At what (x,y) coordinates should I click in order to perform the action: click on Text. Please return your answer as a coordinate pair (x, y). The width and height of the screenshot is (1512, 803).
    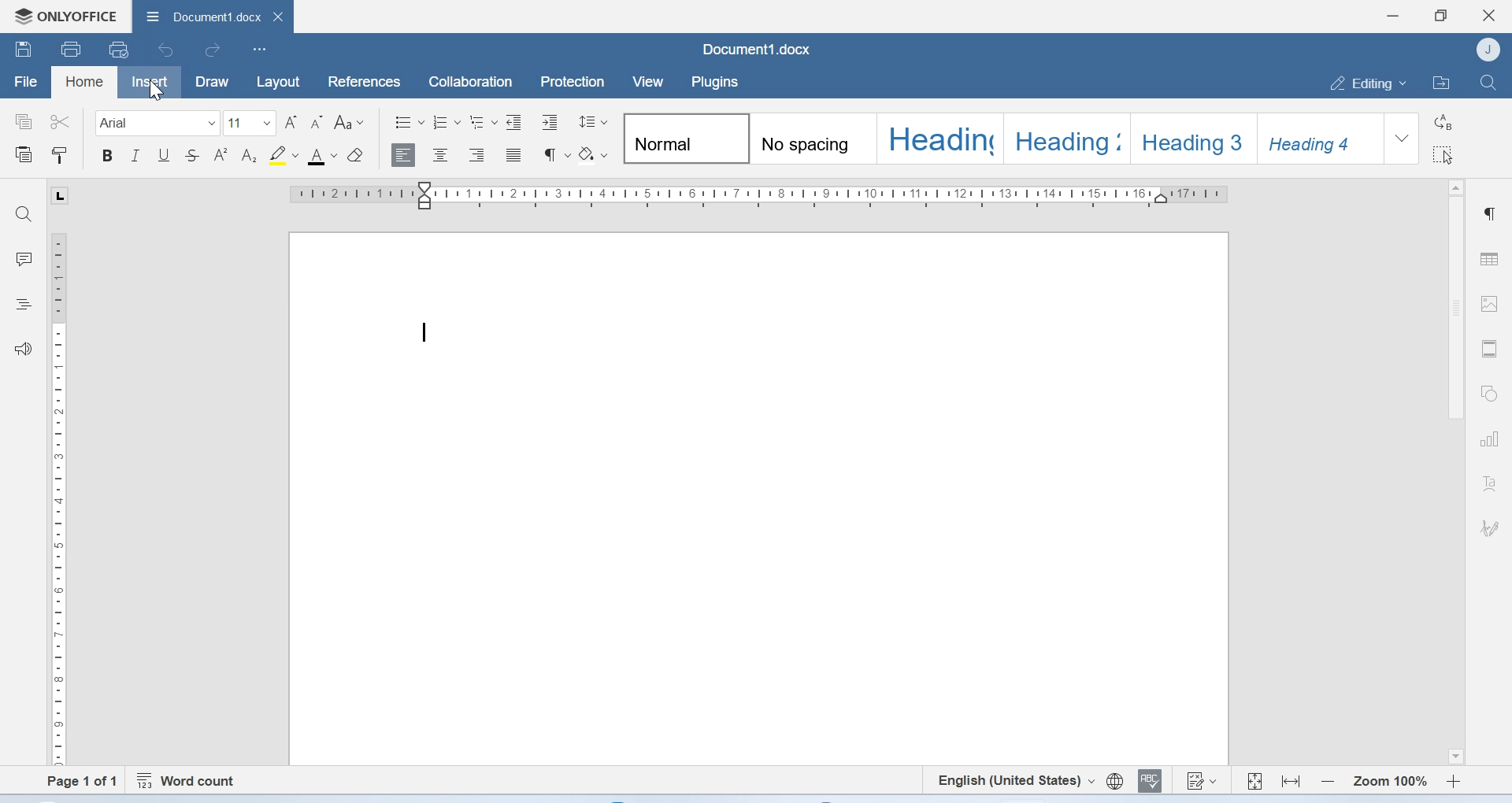
    Looking at the image, I should click on (1489, 483).